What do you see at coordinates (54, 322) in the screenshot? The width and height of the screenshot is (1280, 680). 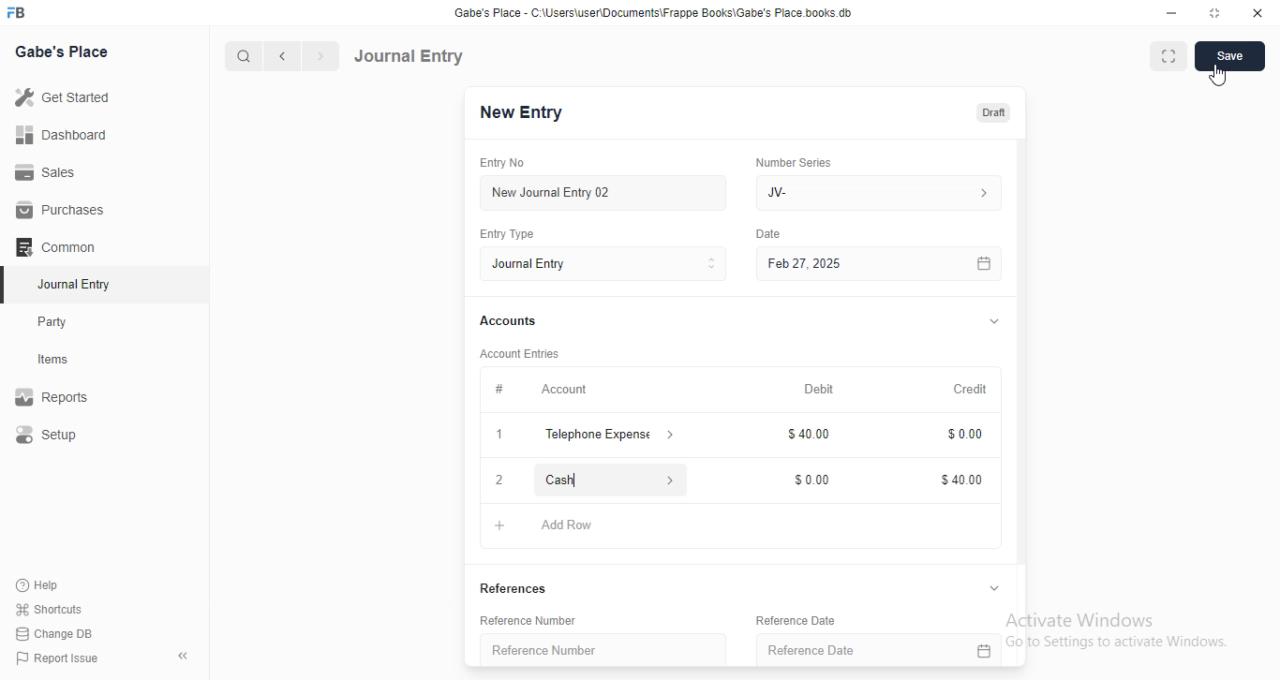 I see `Party` at bounding box center [54, 322].